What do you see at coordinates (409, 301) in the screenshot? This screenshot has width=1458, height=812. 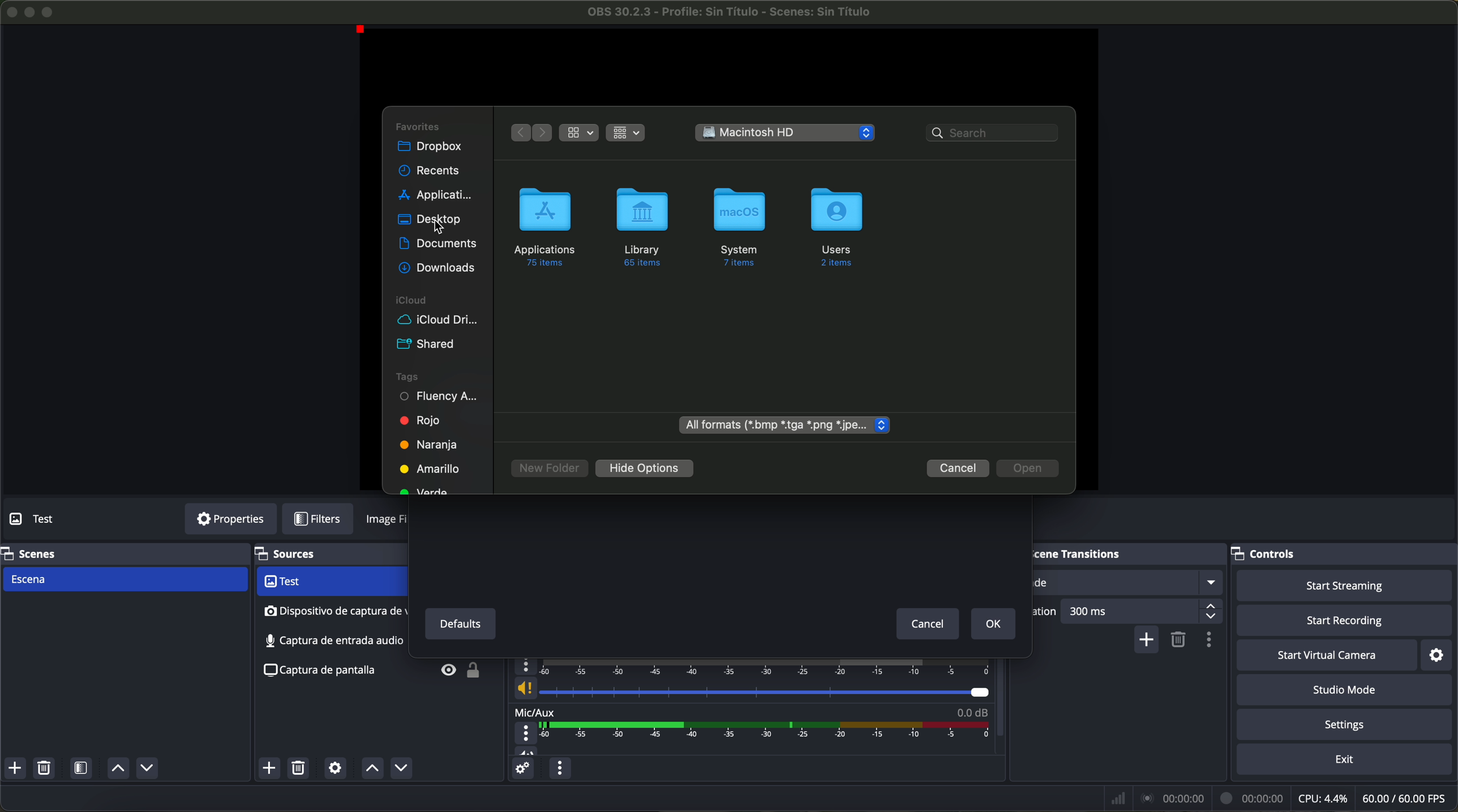 I see `icloud` at bounding box center [409, 301].